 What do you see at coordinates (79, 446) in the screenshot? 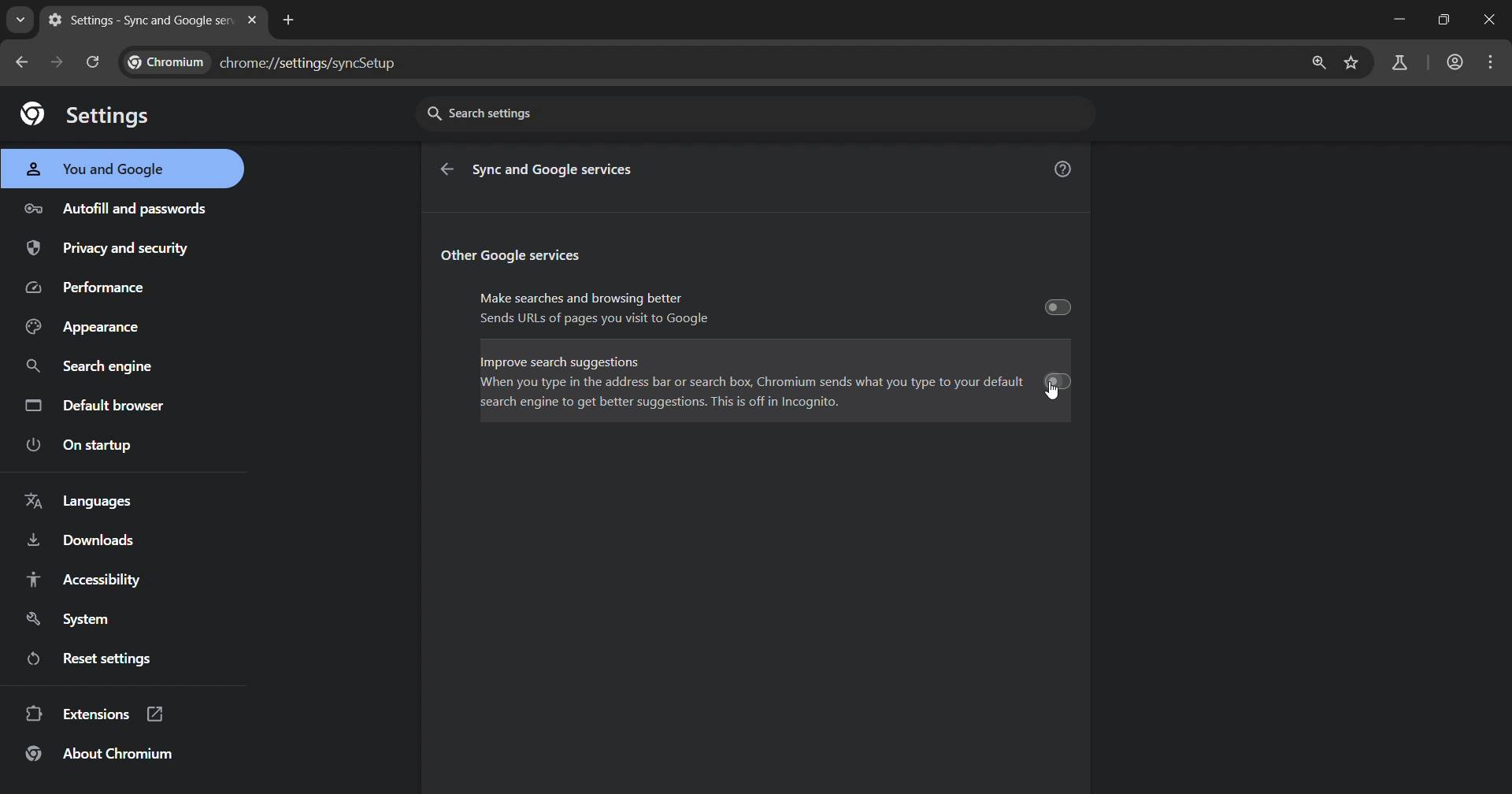
I see `on startup` at bounding box center [79, 446].